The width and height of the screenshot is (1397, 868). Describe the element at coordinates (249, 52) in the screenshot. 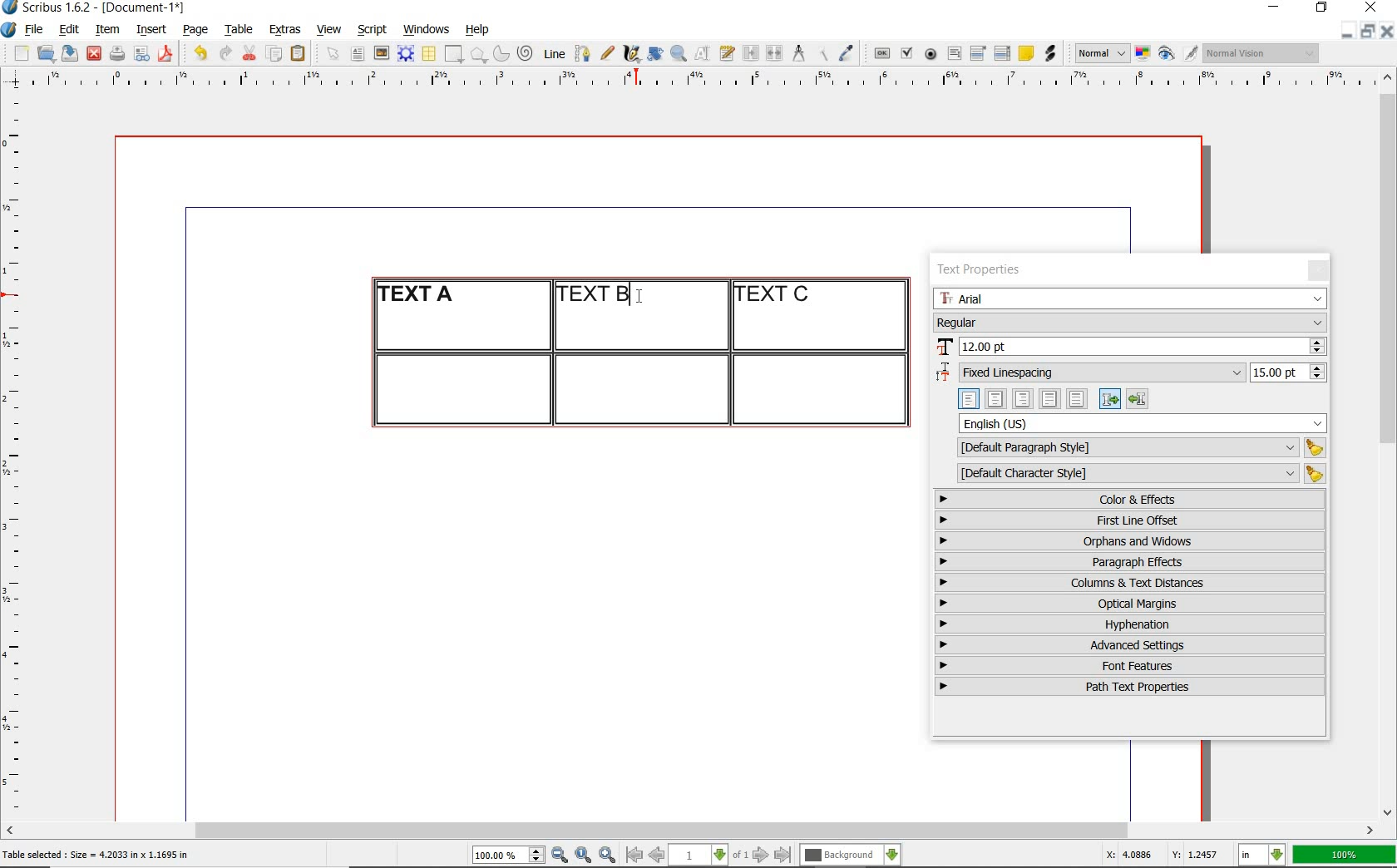

I see `cut` at that location.